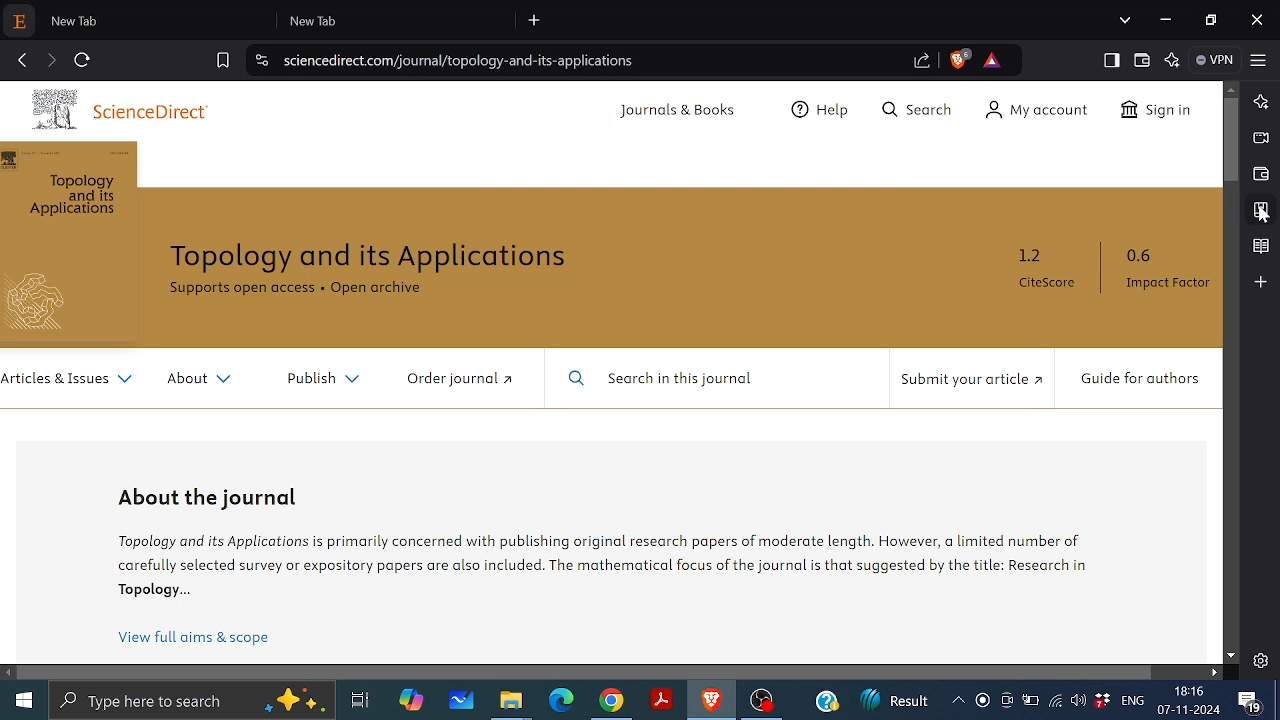 The height and width of the screenshot is (720, 1280). What do you see at coordinates (1030, 703) in the screenshot?
I see `Battery` at bounding box center [1030, 703].